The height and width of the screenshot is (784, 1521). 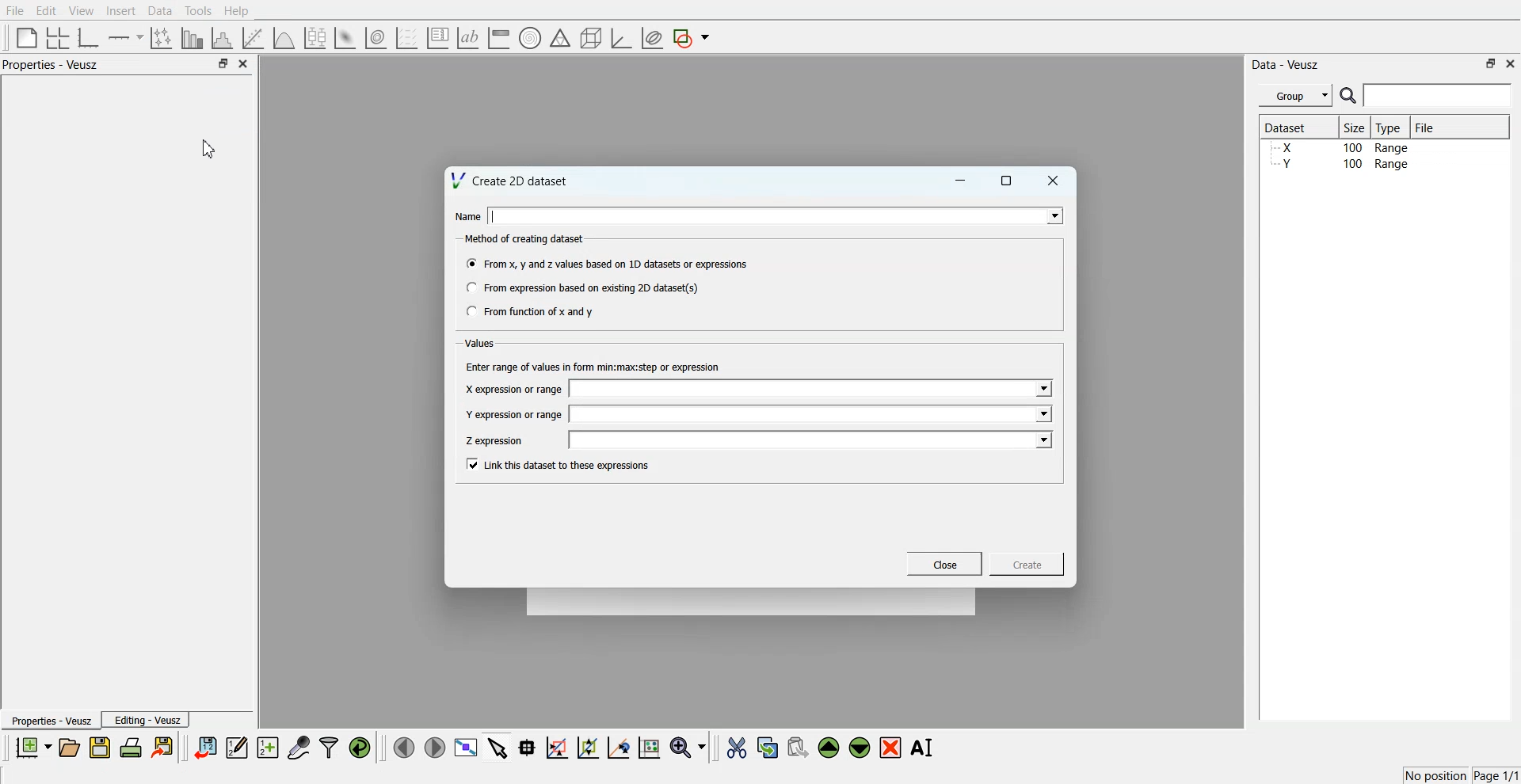 I want to click on Group, so click(x=1296, y=96).